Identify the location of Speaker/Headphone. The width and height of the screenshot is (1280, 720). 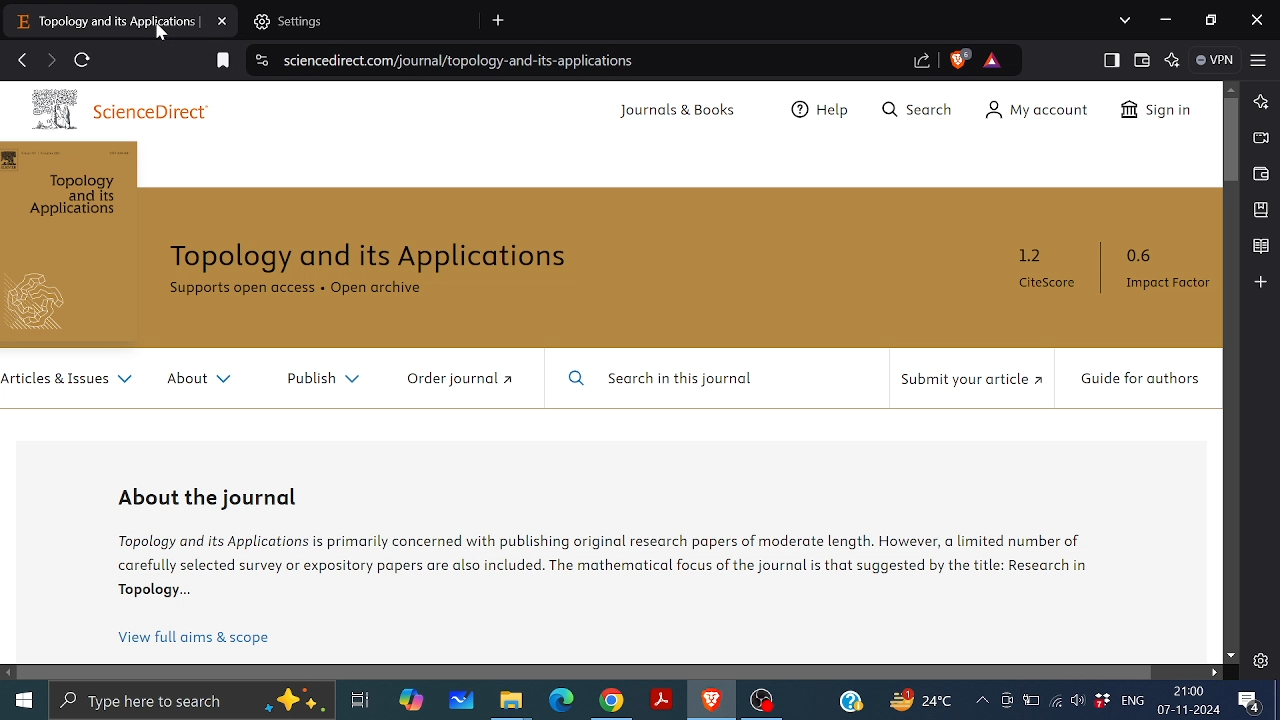
(1076, 701).